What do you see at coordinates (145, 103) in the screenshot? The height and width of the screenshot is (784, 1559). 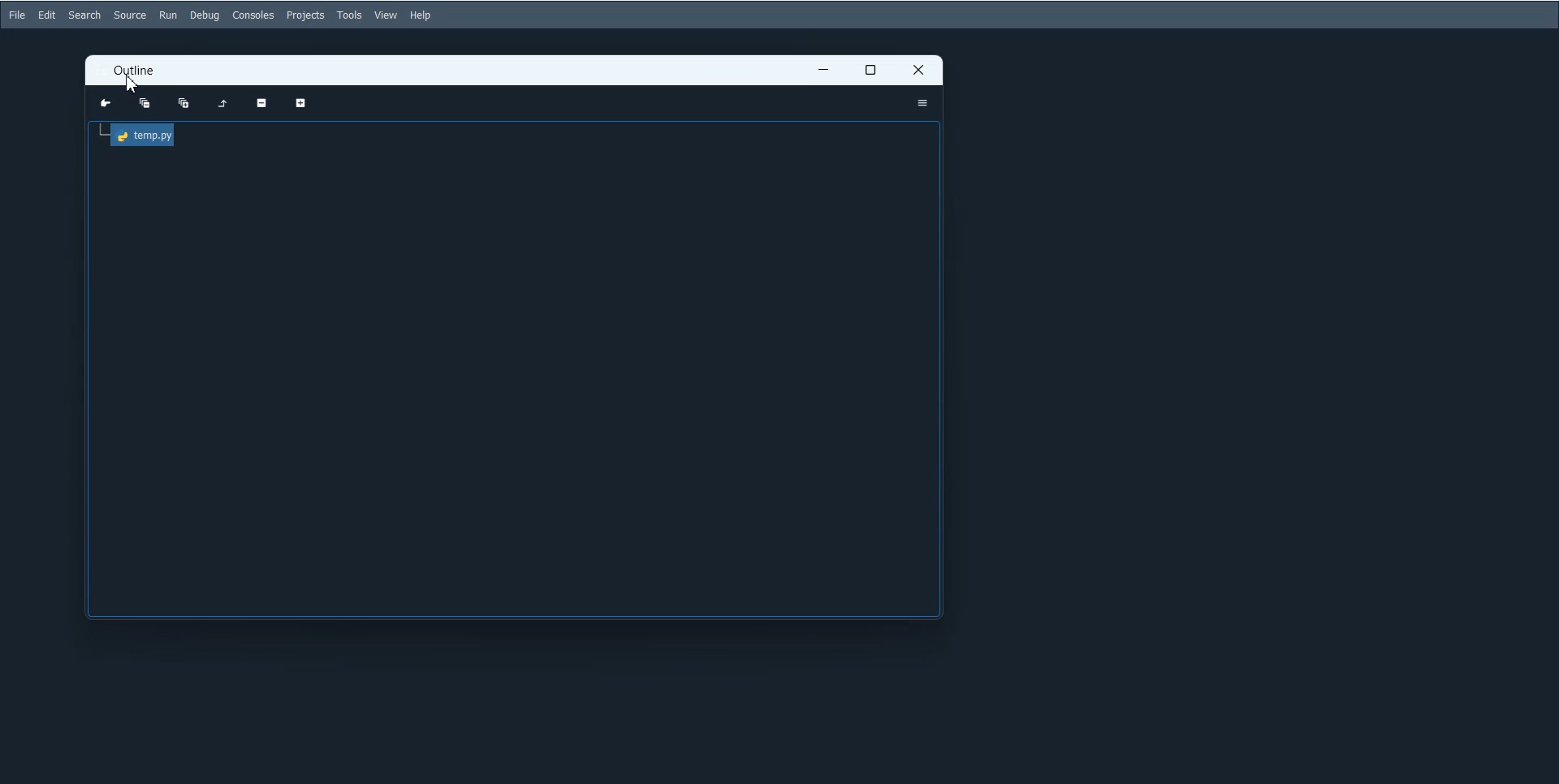 I see `Collapse all` at bounding box center [145, 103].